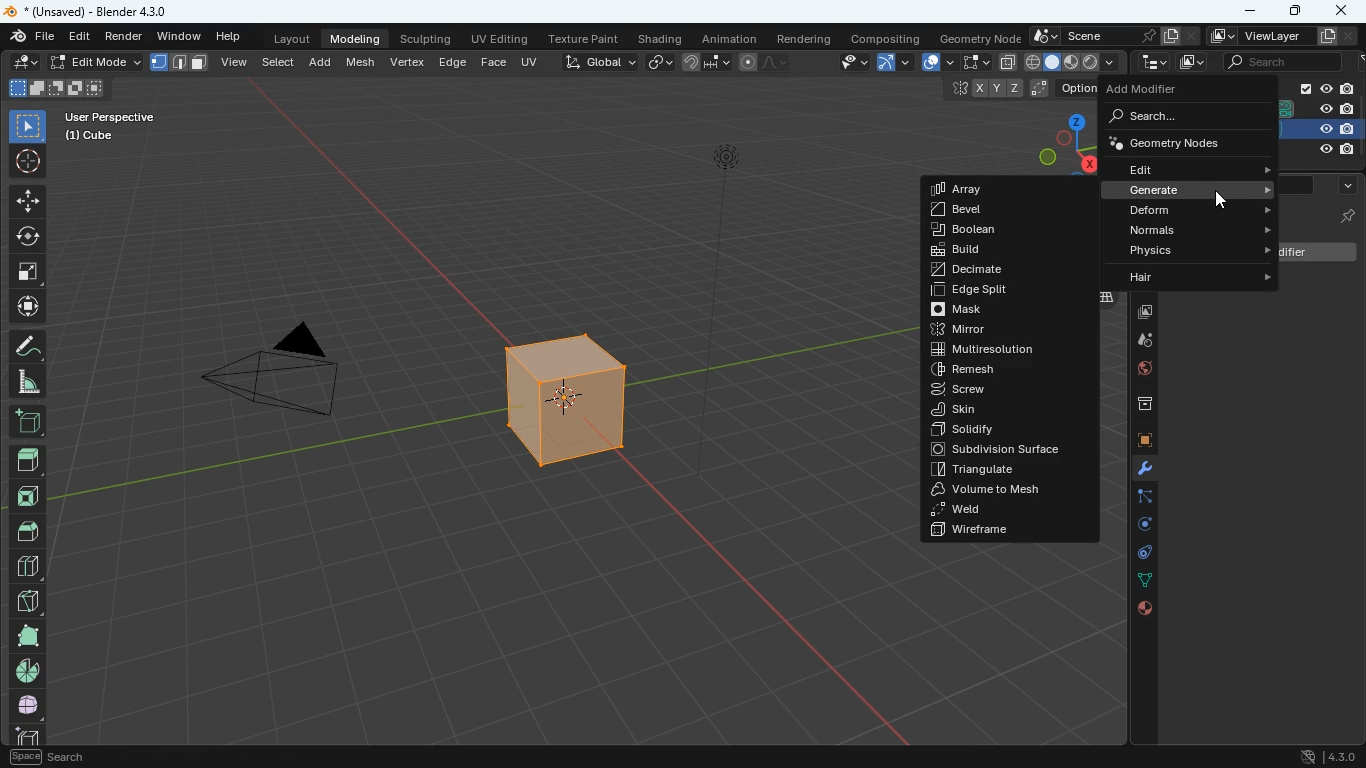  I want to click on rotate, so click(27, 236).